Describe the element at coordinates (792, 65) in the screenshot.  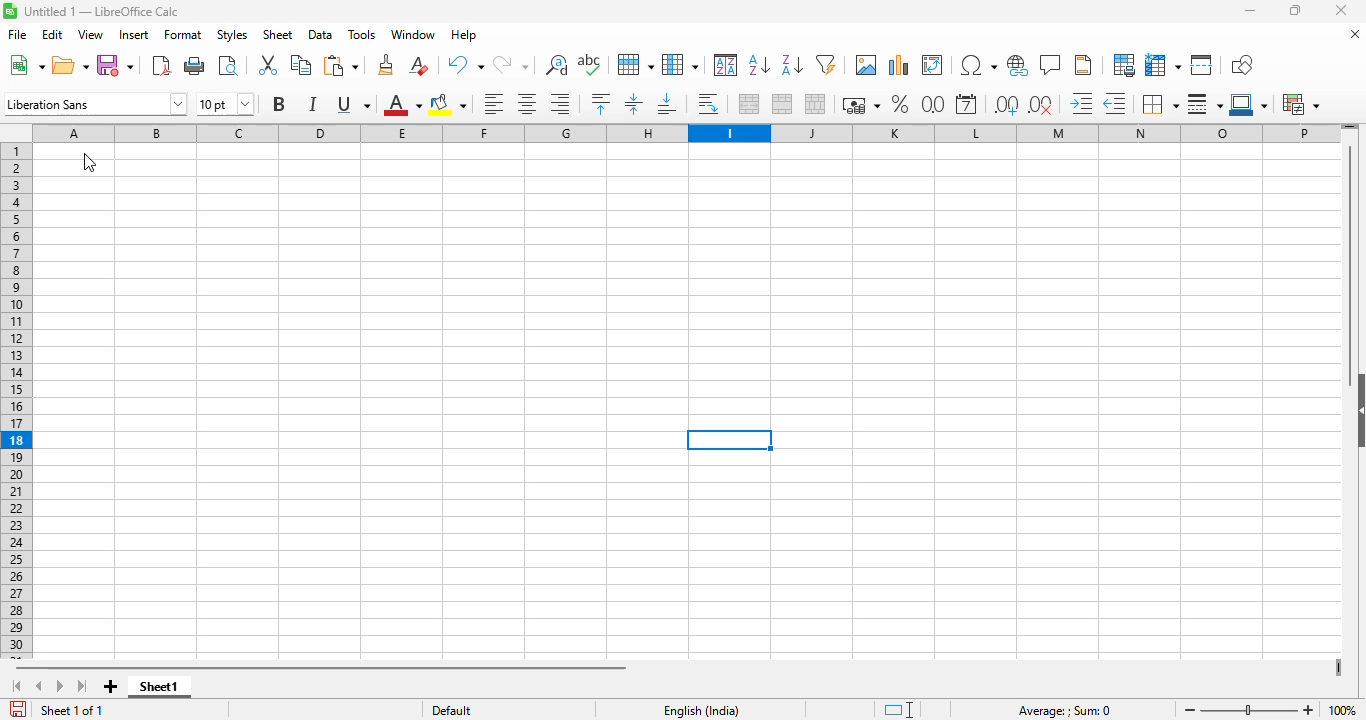
I see `sort descending` at that location.